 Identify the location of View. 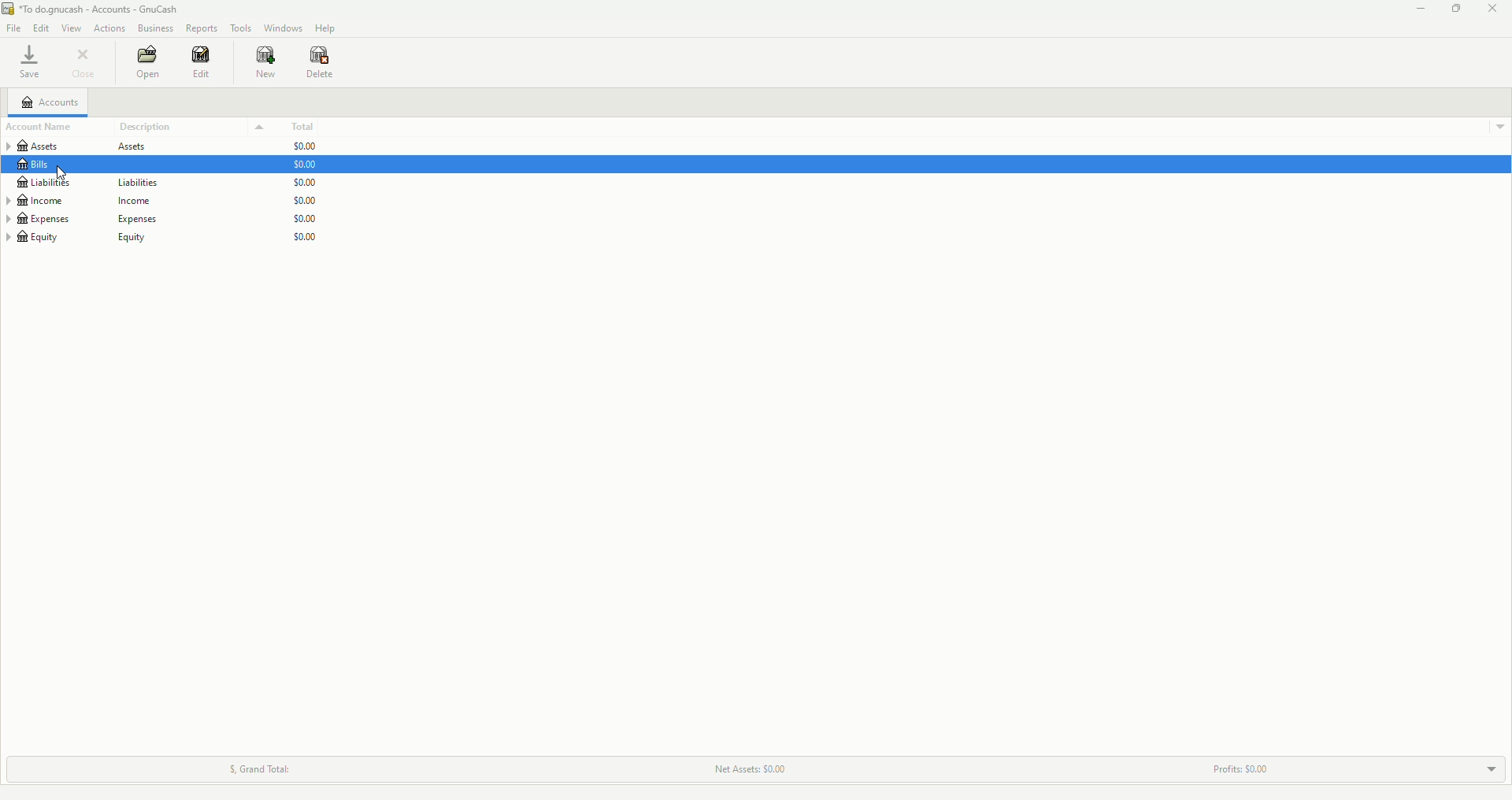
(73, 29).